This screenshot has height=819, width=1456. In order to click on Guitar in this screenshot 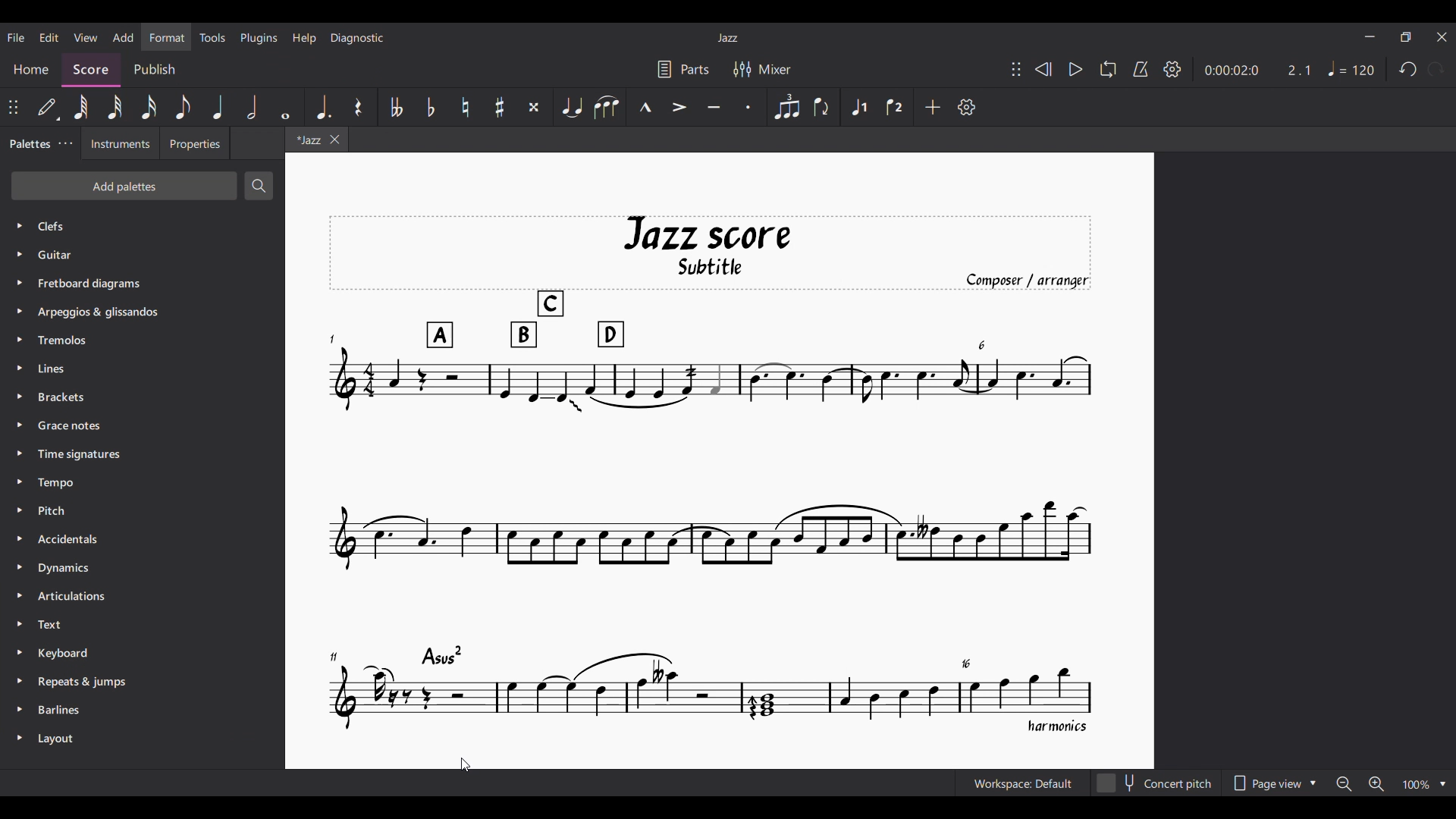, I will do `click(60, 256)`.